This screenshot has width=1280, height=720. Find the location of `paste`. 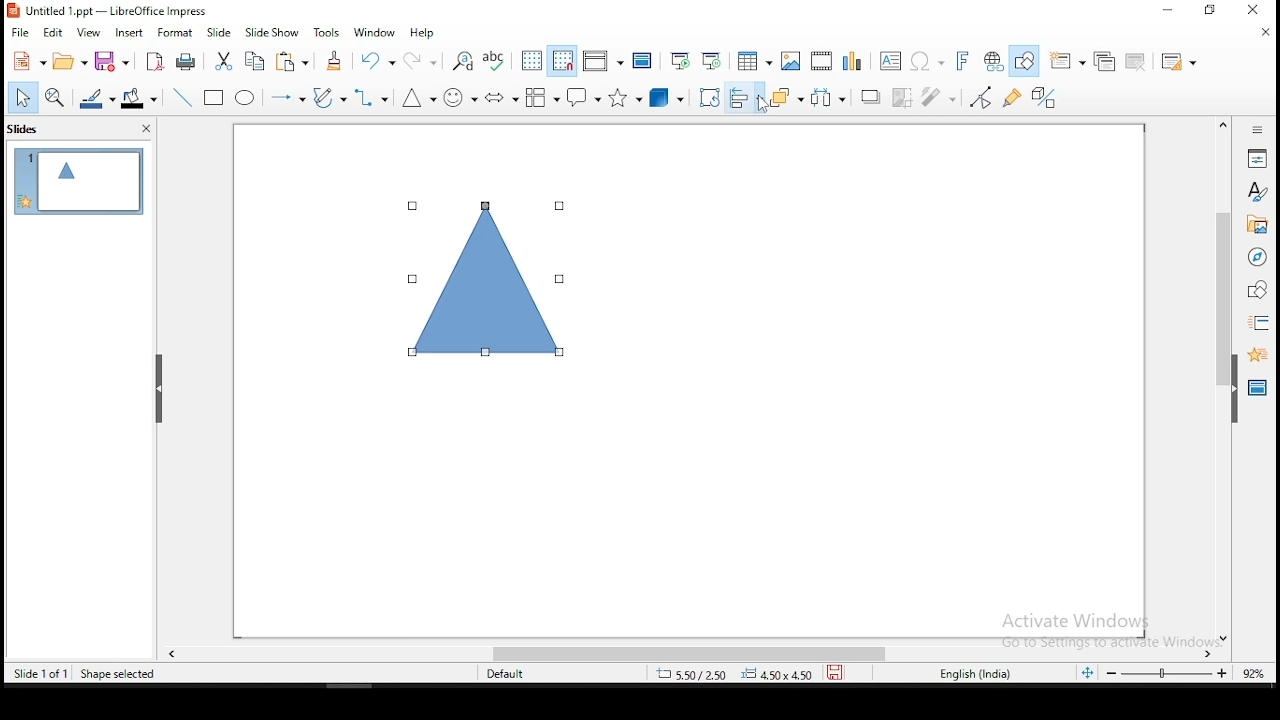

paste is located at coordinates (336, 61).